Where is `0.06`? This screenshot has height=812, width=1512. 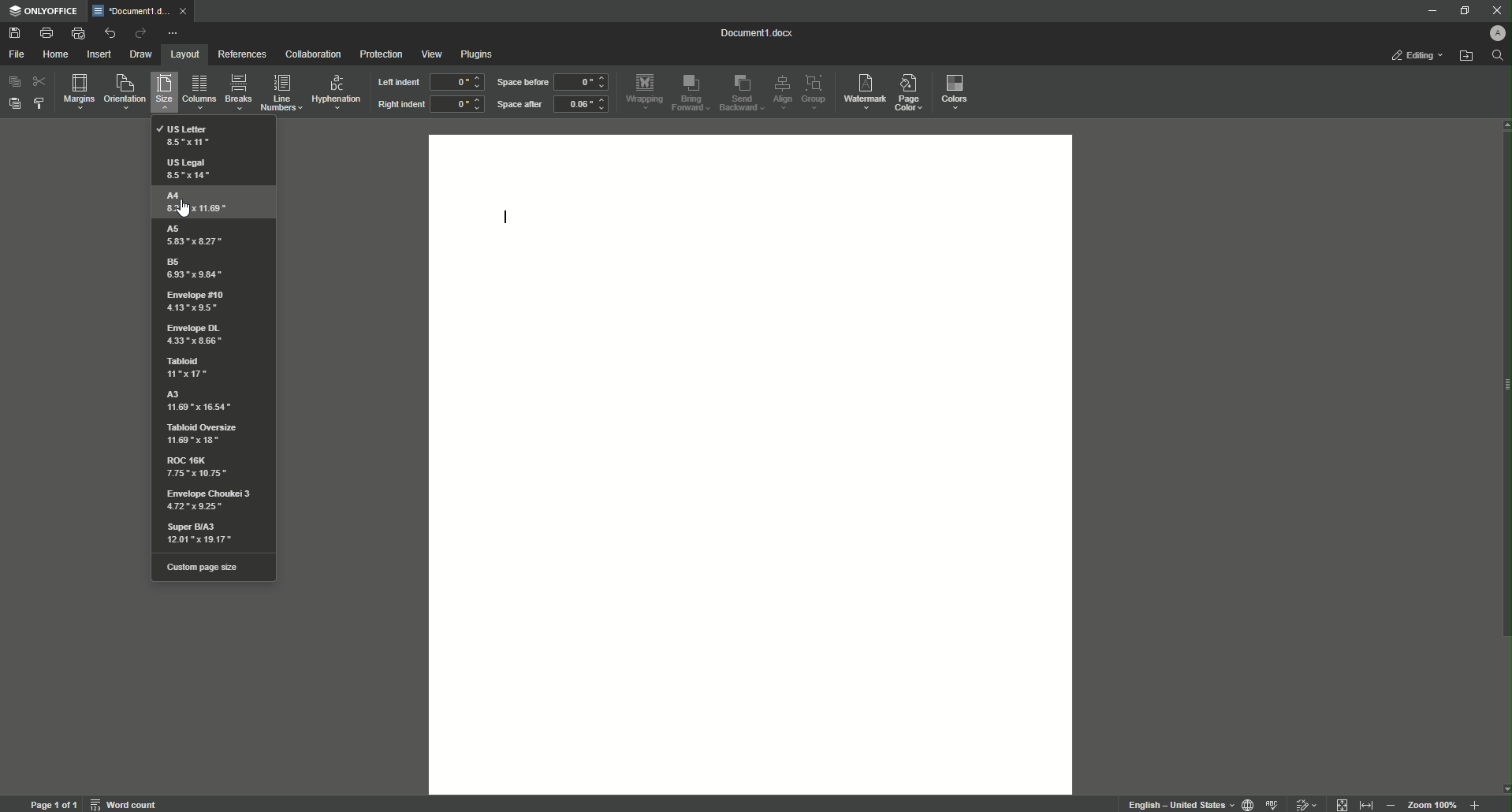
0.06 is located at coordinates (583, 106).